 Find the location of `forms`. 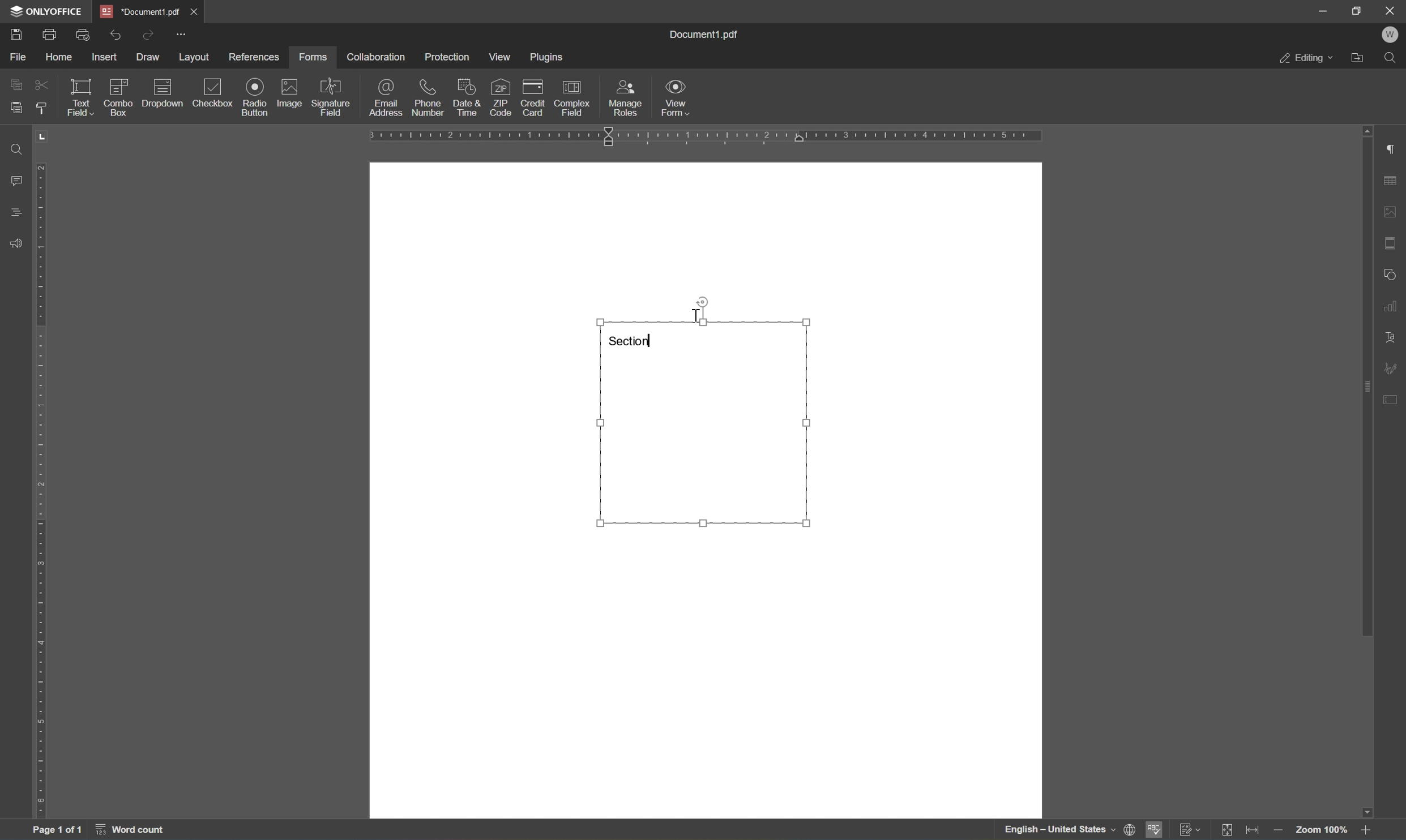

forms is located at coordinates (317, 56).